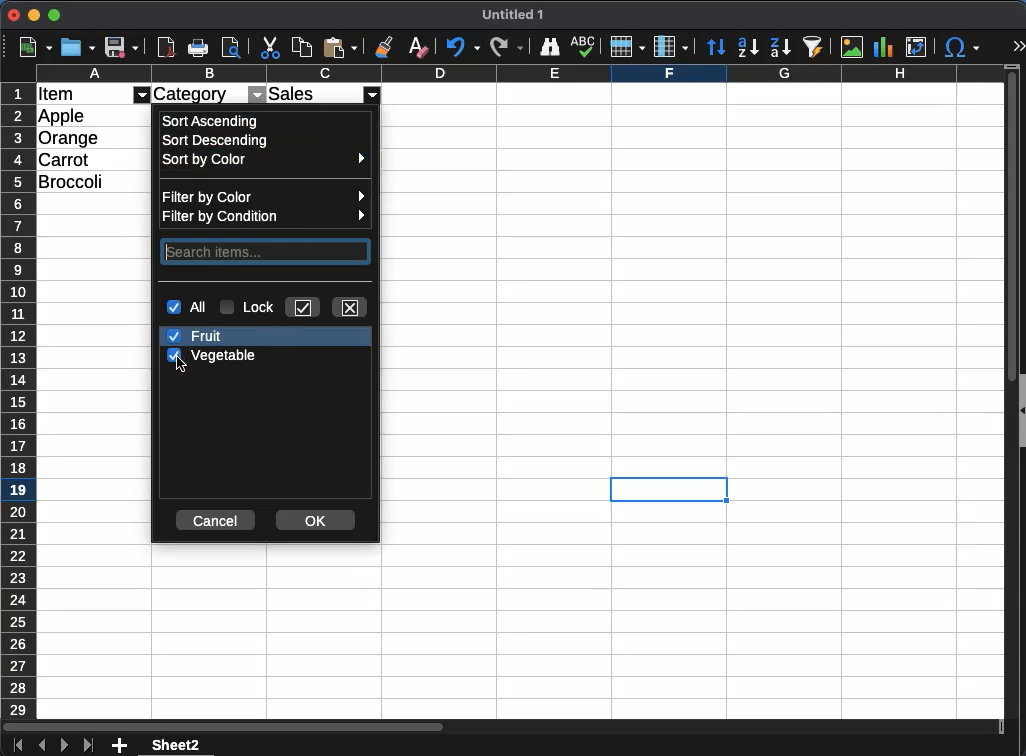 The width and height of the screenshot is (1026, 756). Describe the element at coordinates (715, 45) in the screenshot. I see `sort` at that location.